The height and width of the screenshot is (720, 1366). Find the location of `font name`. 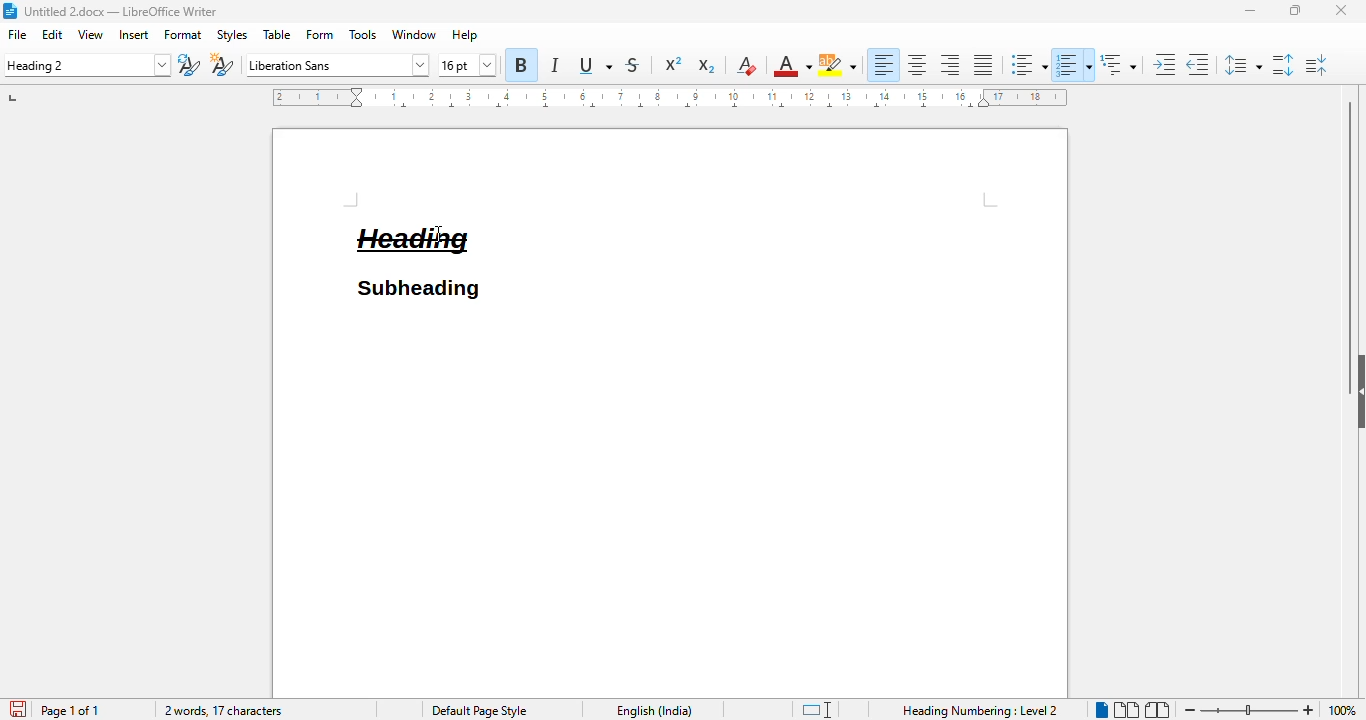

font name is located at coordinates (336, 65).